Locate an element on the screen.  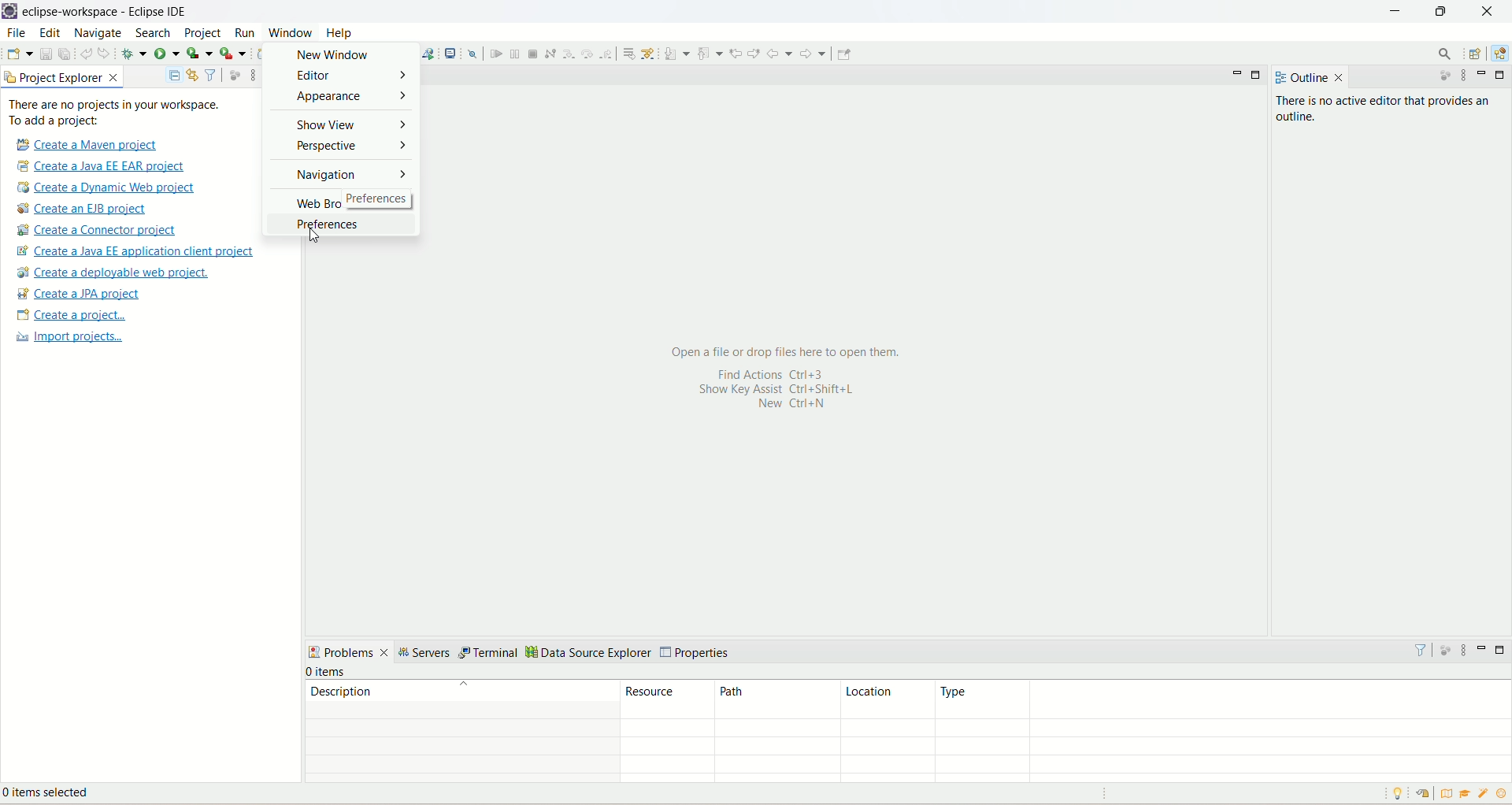
properties is located at coordinates (697, 653).